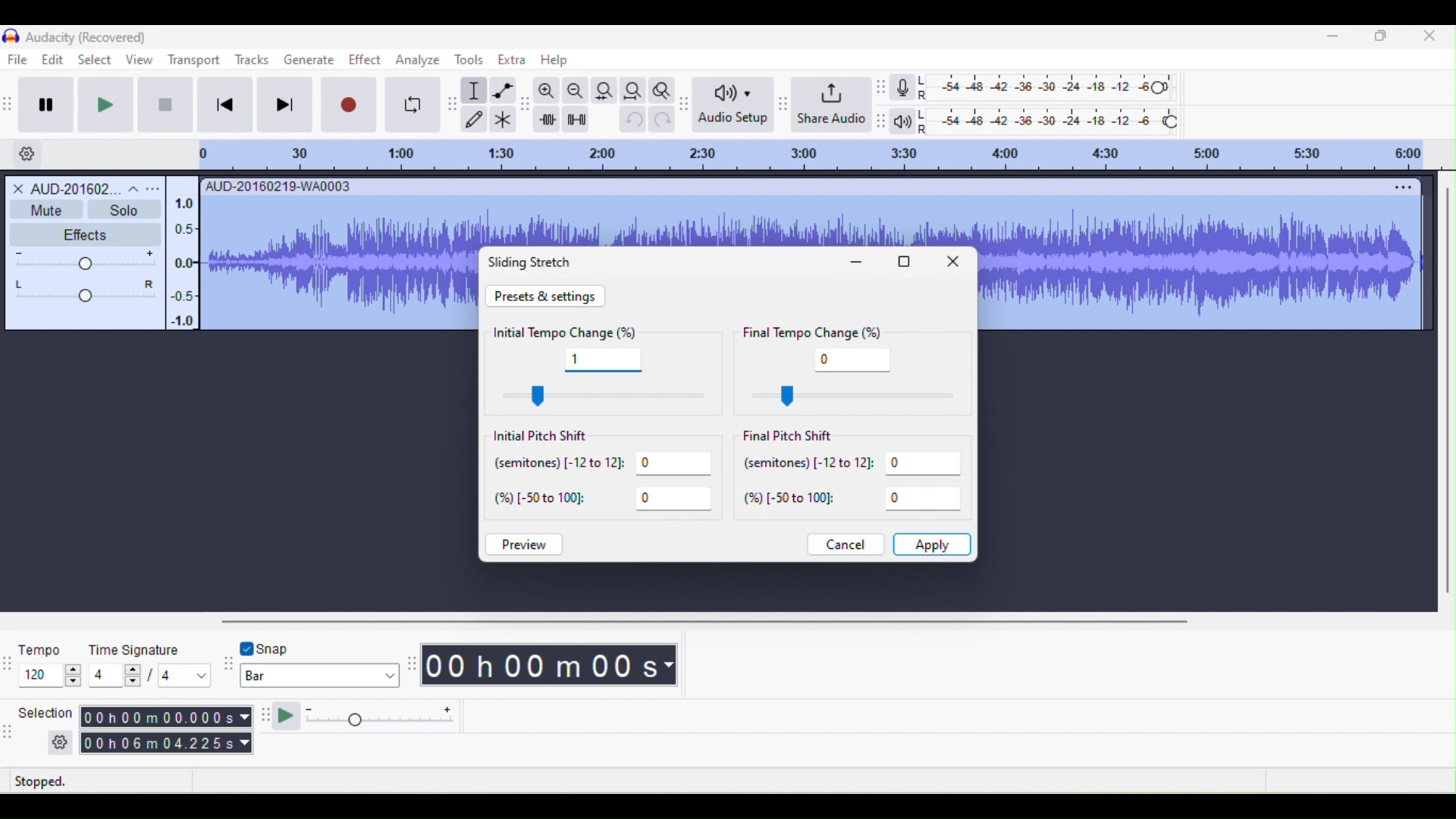 This screenshot has width=1456, height=819. I want to click on record meter, so click(903, 88).